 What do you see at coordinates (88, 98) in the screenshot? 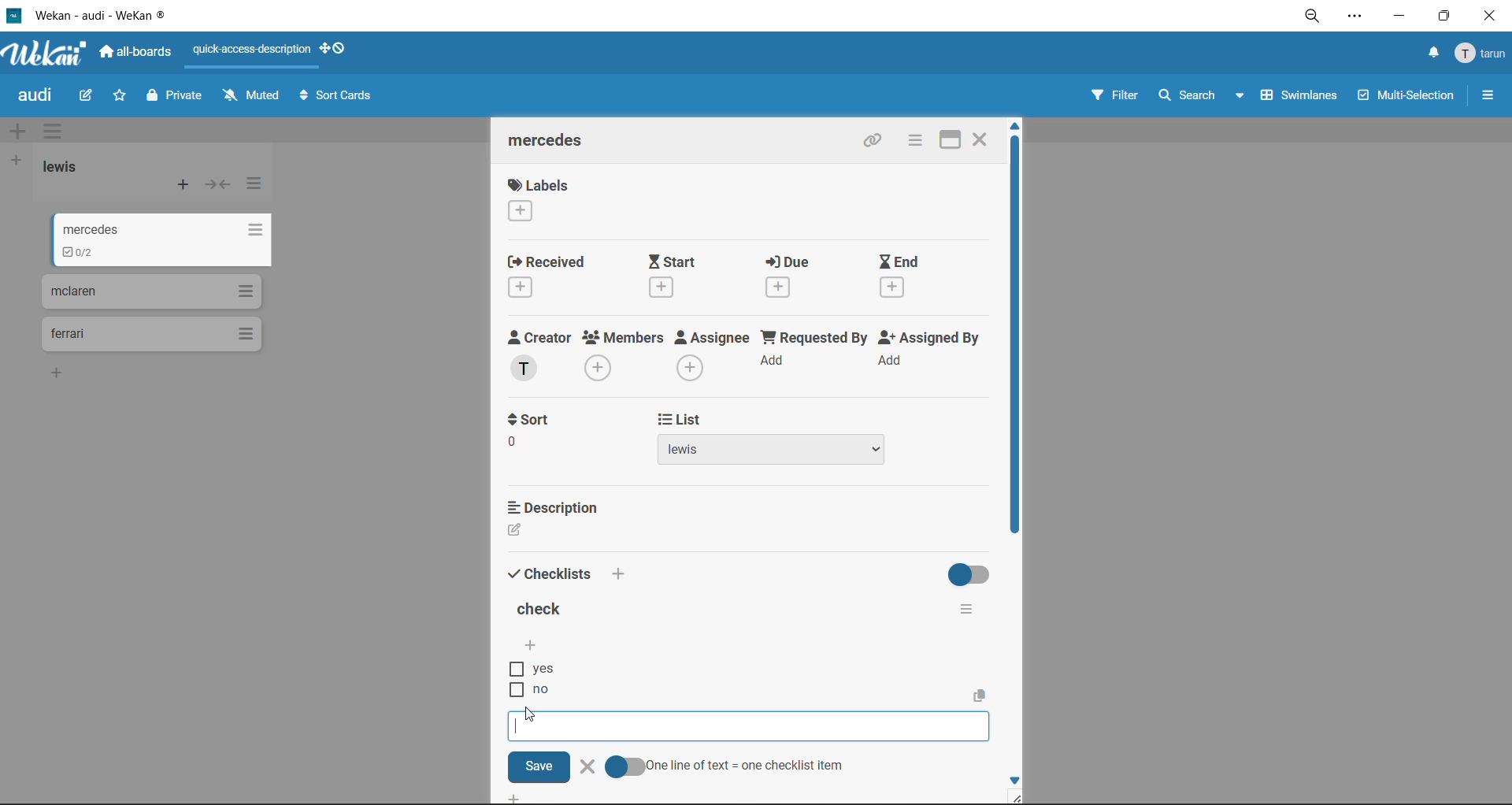
I see `edit` at bounding box center [88, 98].